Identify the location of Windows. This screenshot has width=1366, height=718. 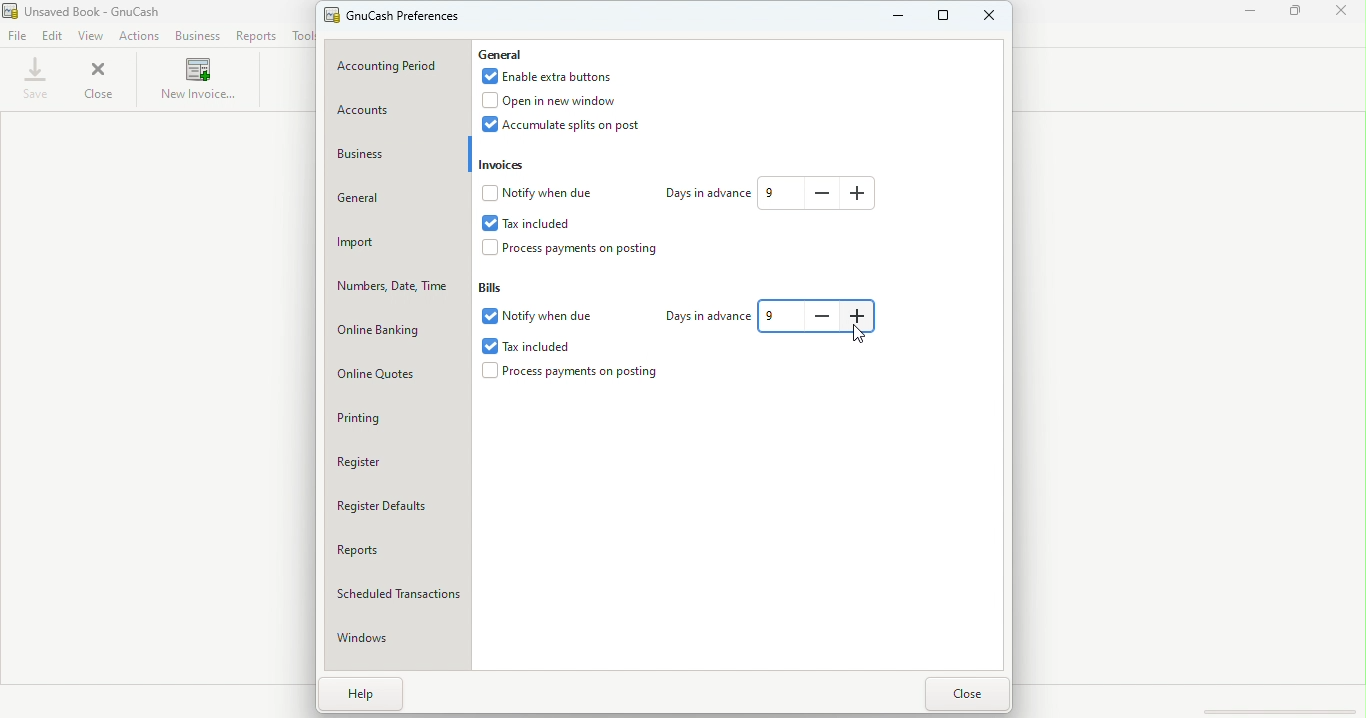
(396, 638).